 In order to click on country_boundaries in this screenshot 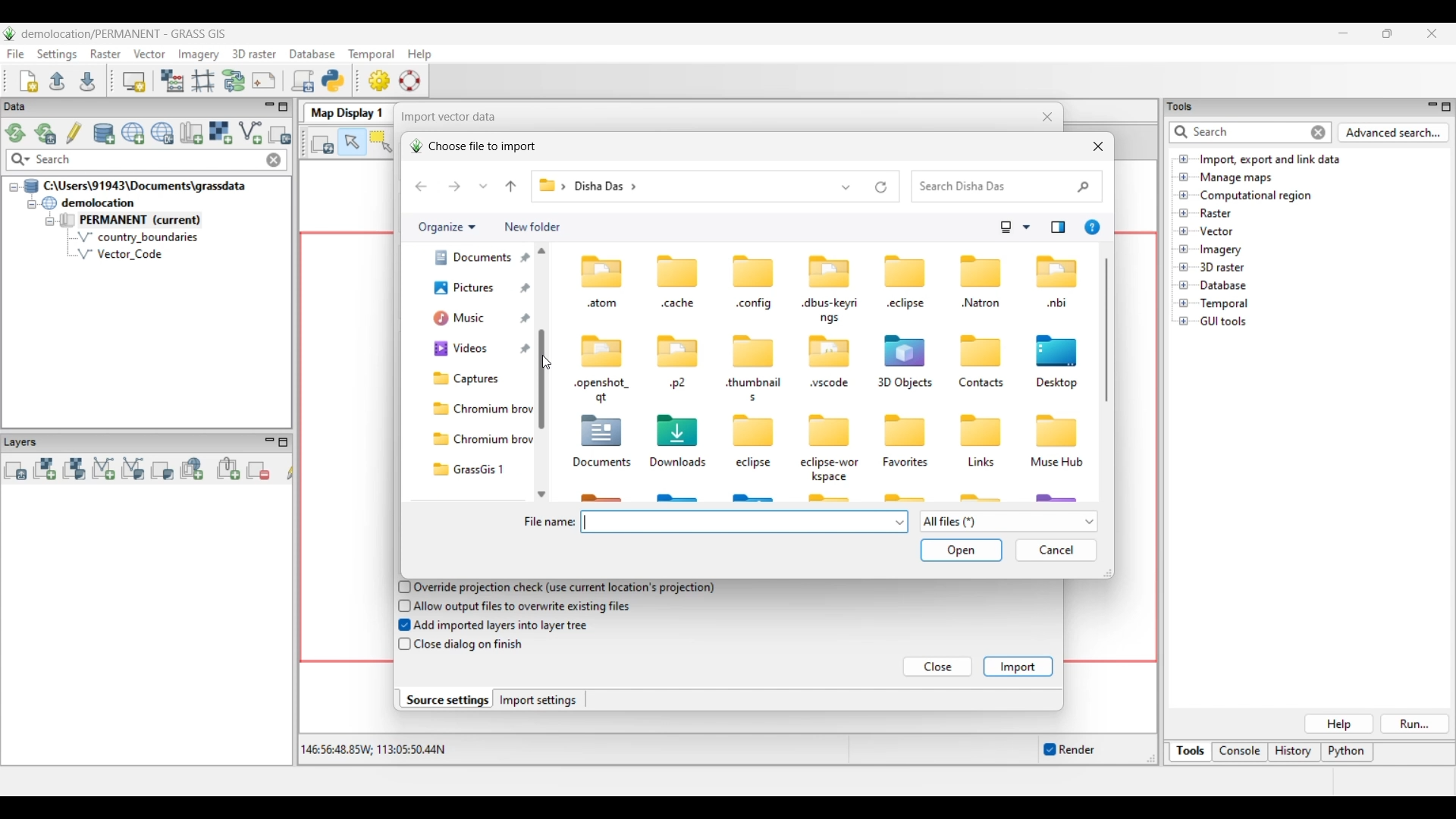, I will do `click(138, 237)`.